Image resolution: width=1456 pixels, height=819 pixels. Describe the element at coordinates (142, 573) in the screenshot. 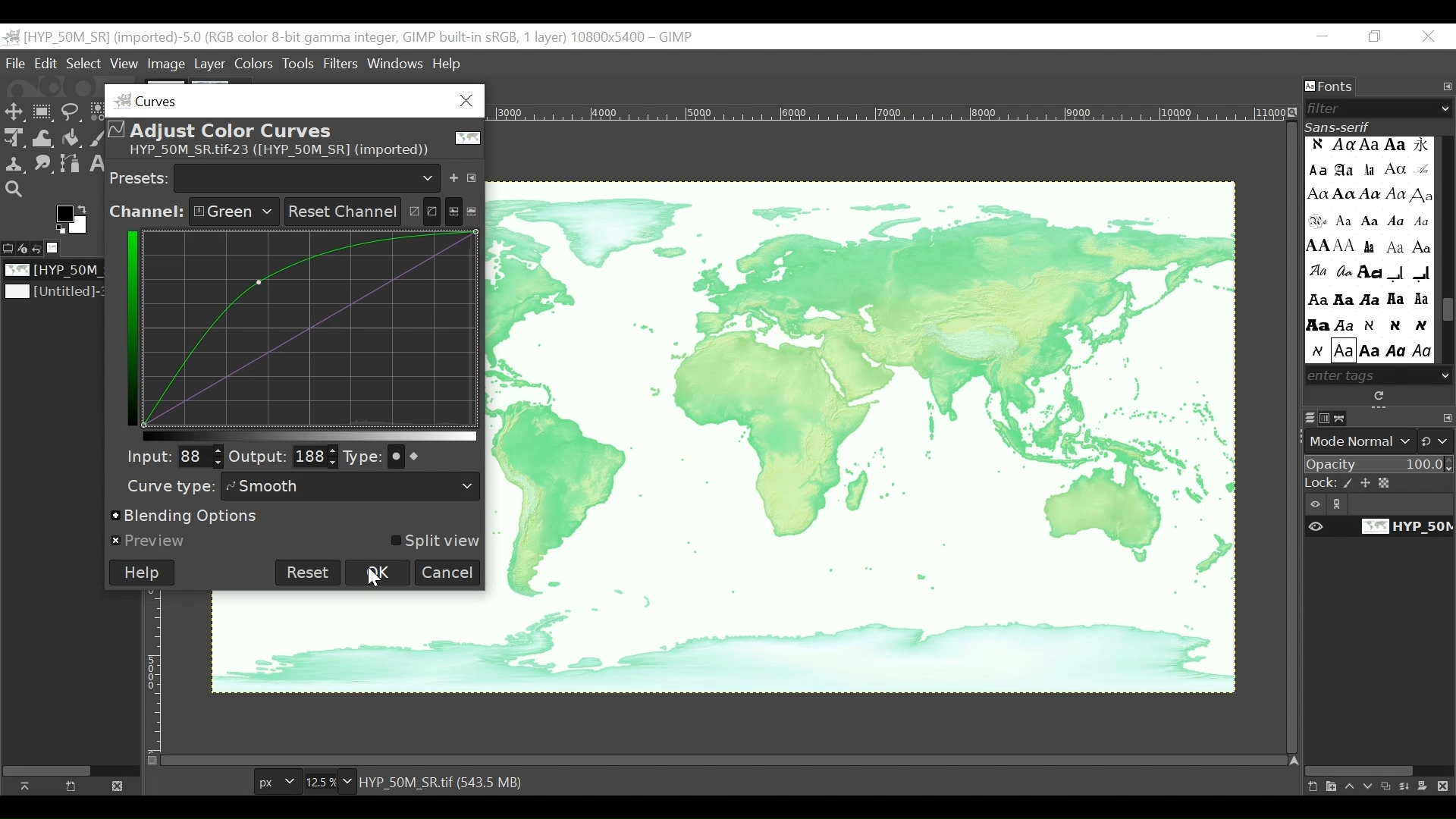

I see `Help` at that location.